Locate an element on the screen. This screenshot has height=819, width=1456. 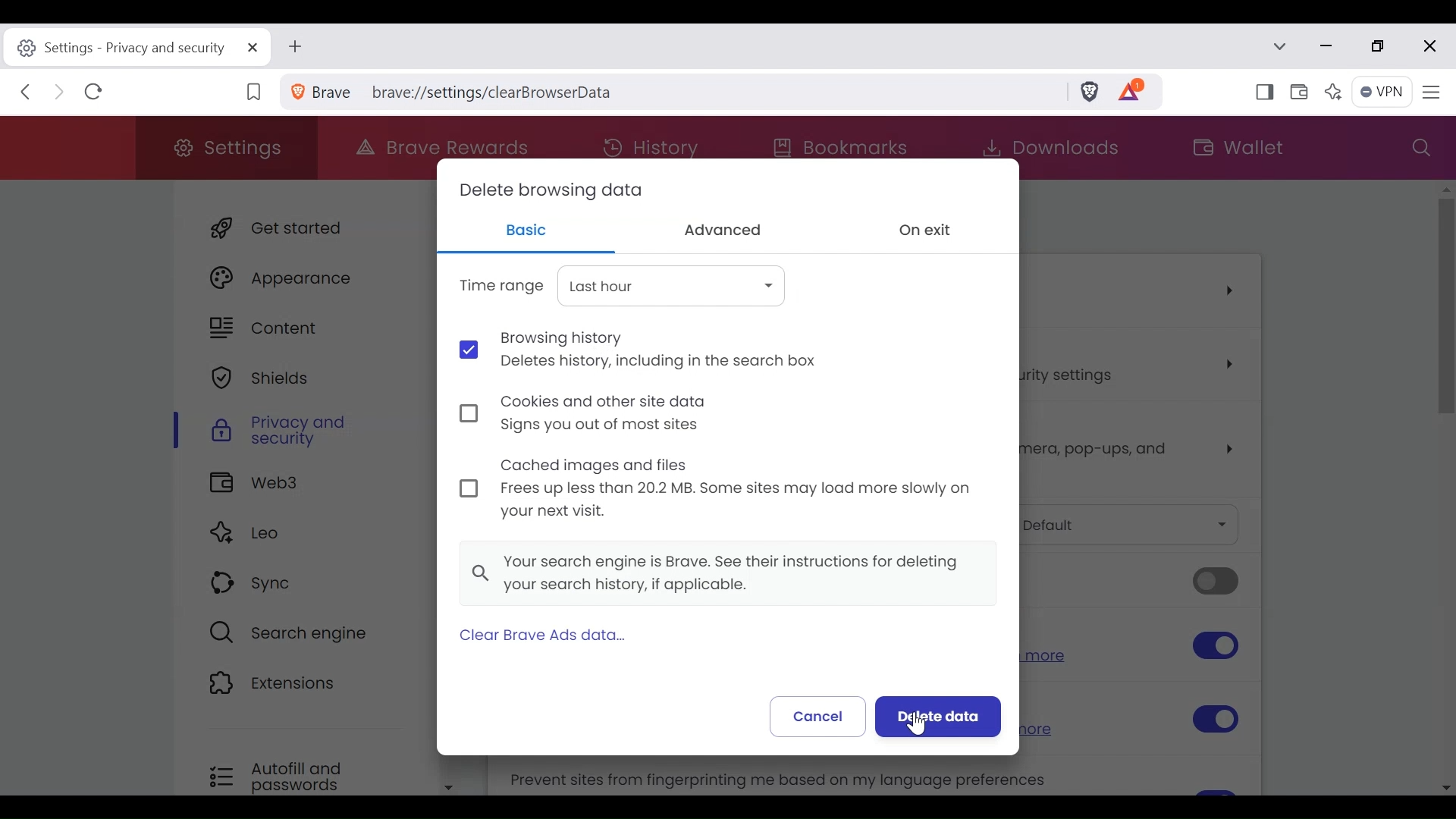
Search Engine is located at coordinates (298, 632).